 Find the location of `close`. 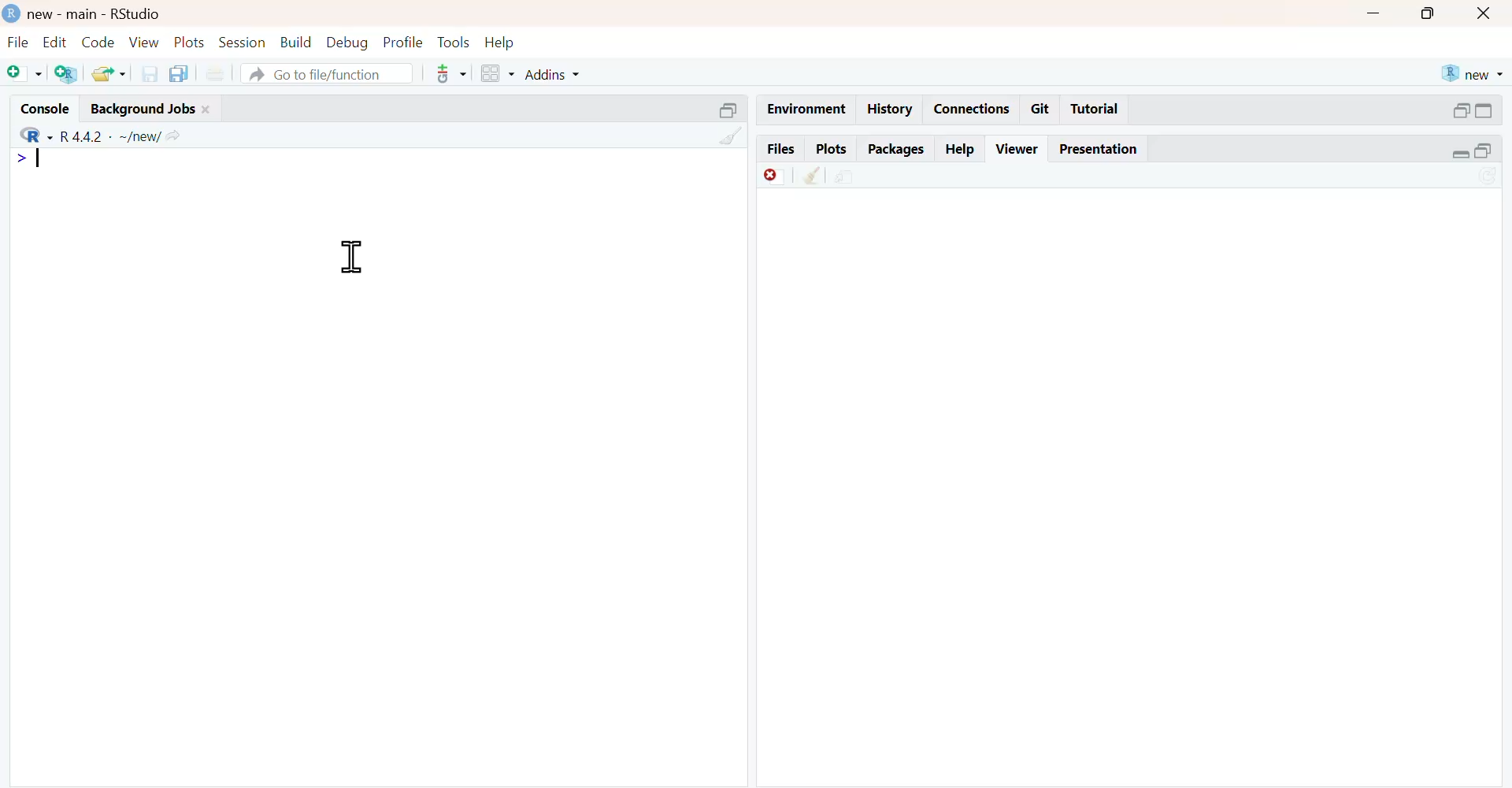

close is located at coordinates (1484, 14).